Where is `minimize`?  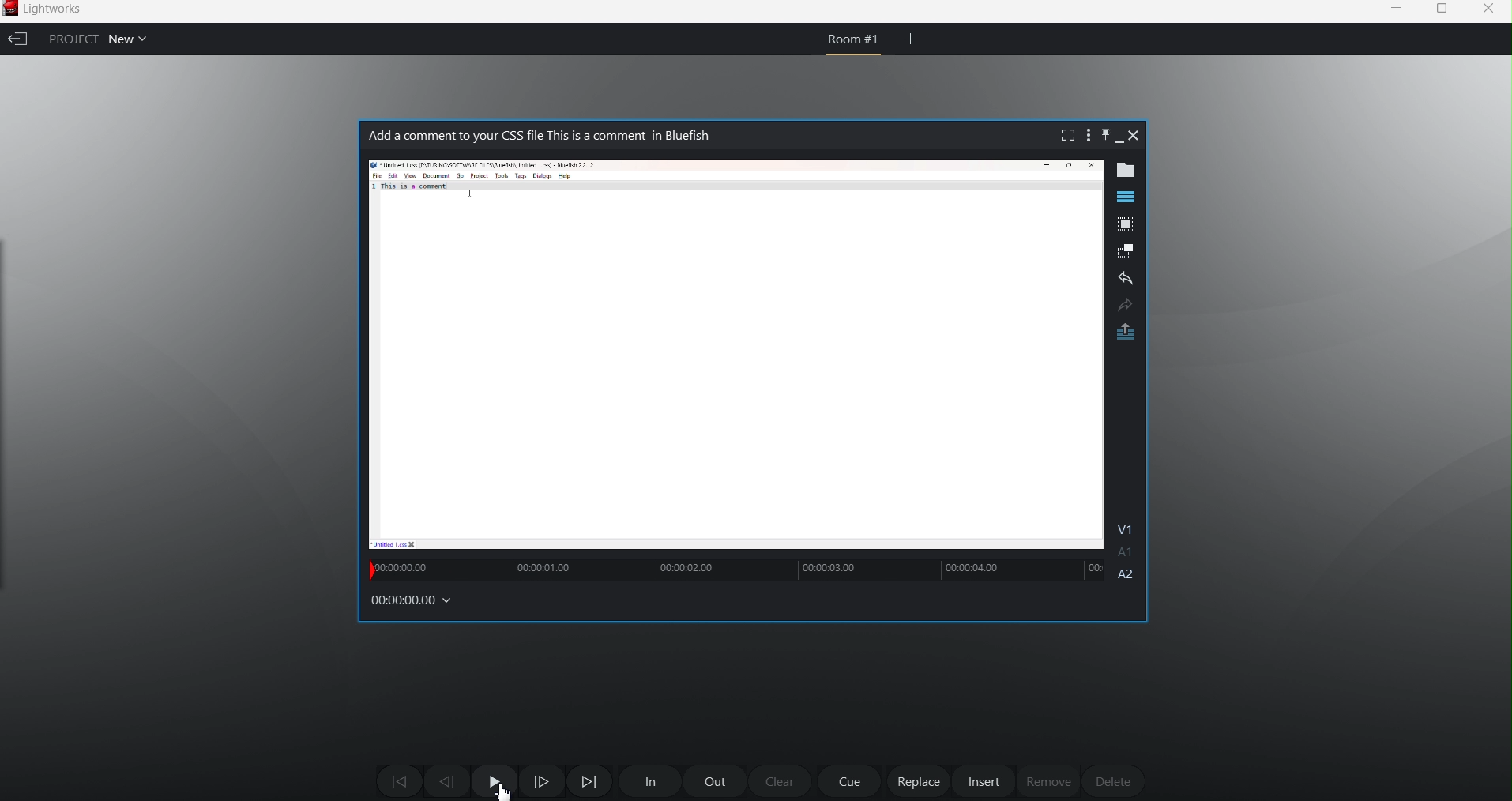 minimize is located at coordinates (1394, 8).